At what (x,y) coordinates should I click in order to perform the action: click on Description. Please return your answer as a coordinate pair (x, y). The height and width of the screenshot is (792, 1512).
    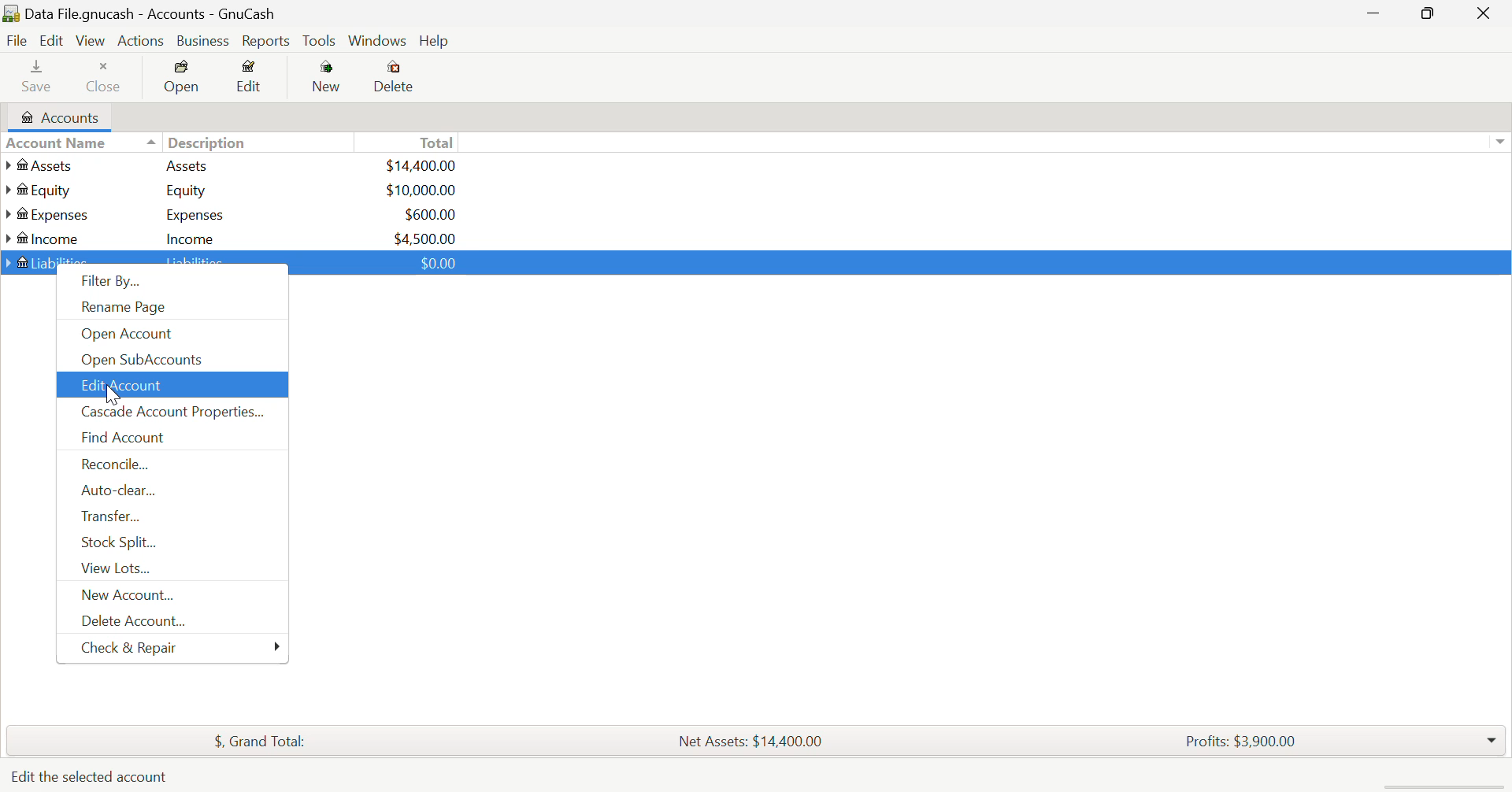
    Looking at the image, I should click on (197, 141).